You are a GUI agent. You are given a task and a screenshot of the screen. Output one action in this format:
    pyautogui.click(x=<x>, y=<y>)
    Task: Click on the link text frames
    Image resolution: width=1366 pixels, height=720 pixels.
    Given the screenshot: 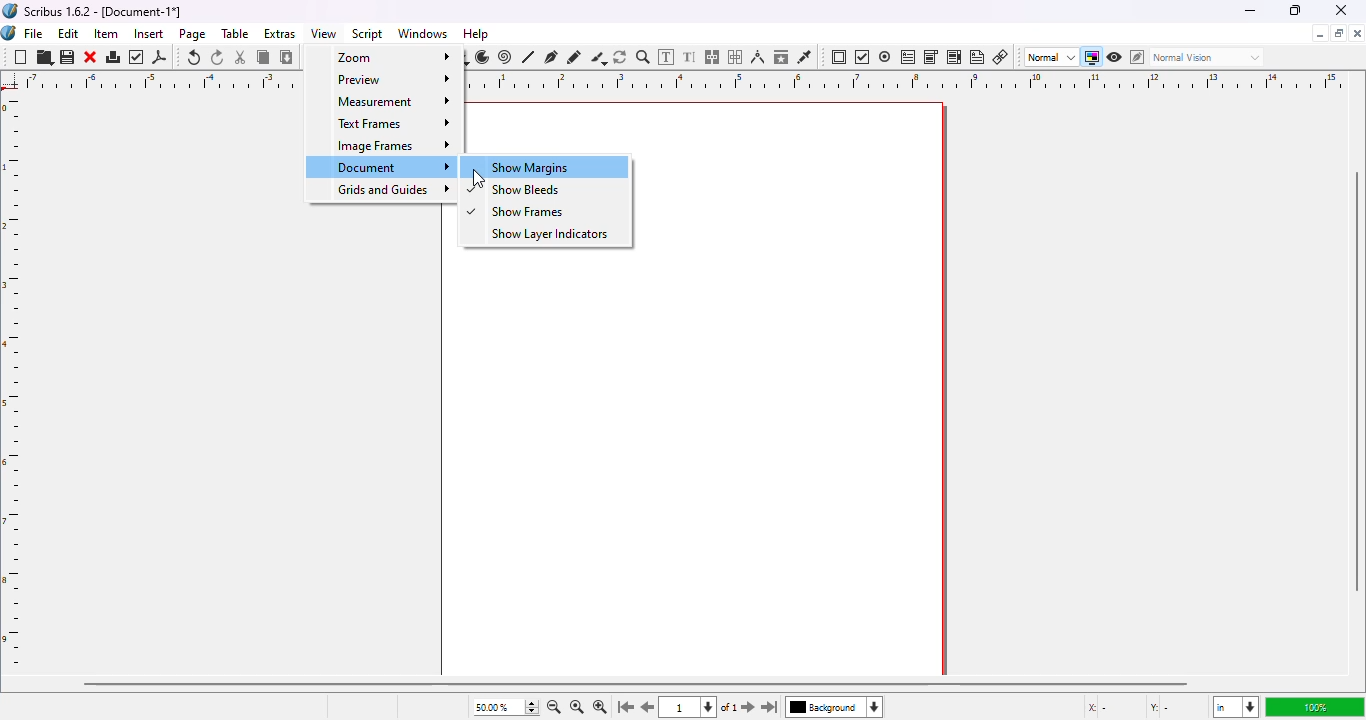 What is the action you would take?
    pyautogui.click(x=713, y=57)
    